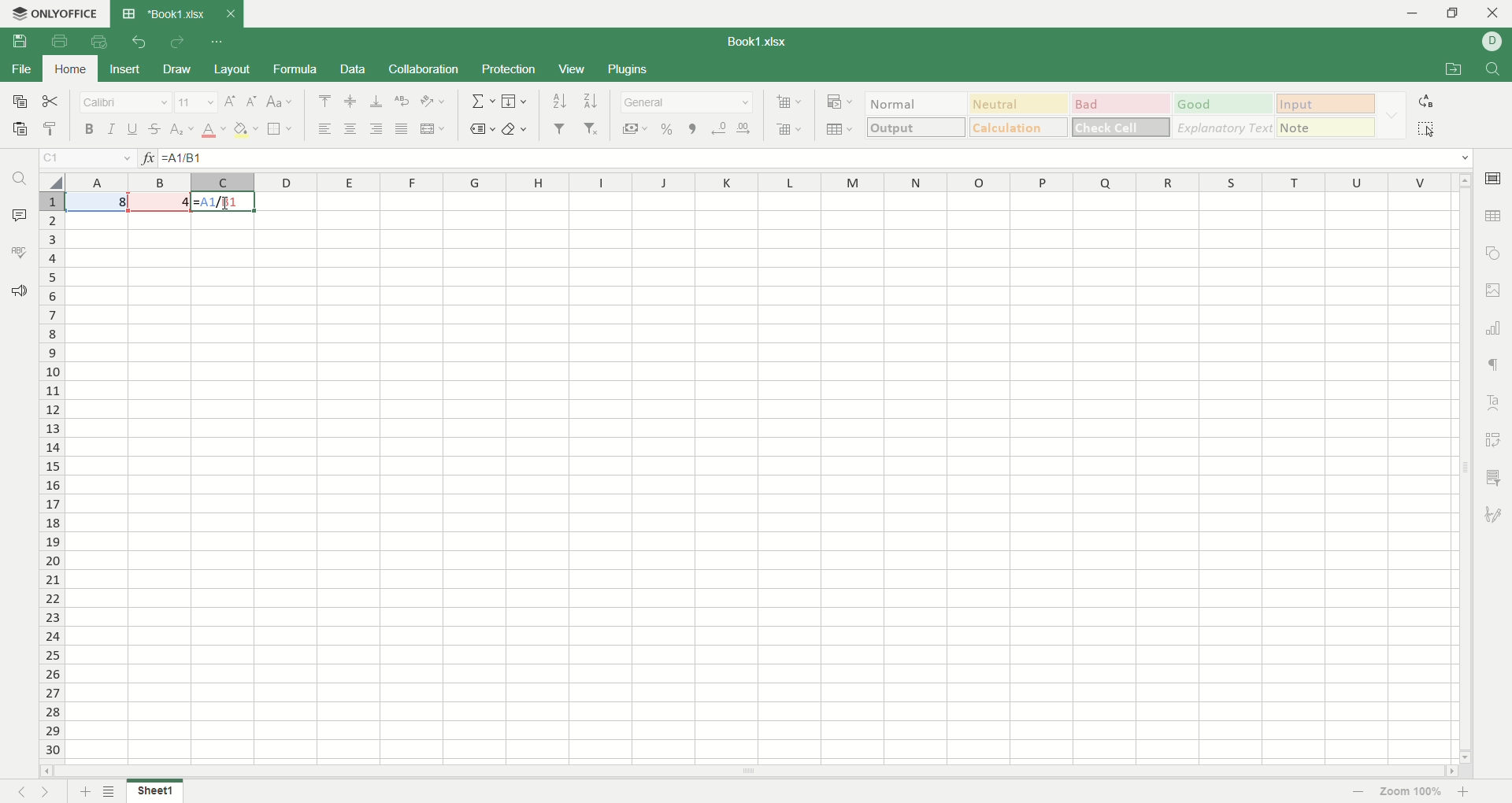 This screenshot has width=1512, height=803. I want to click on summation, so click(482, 101).